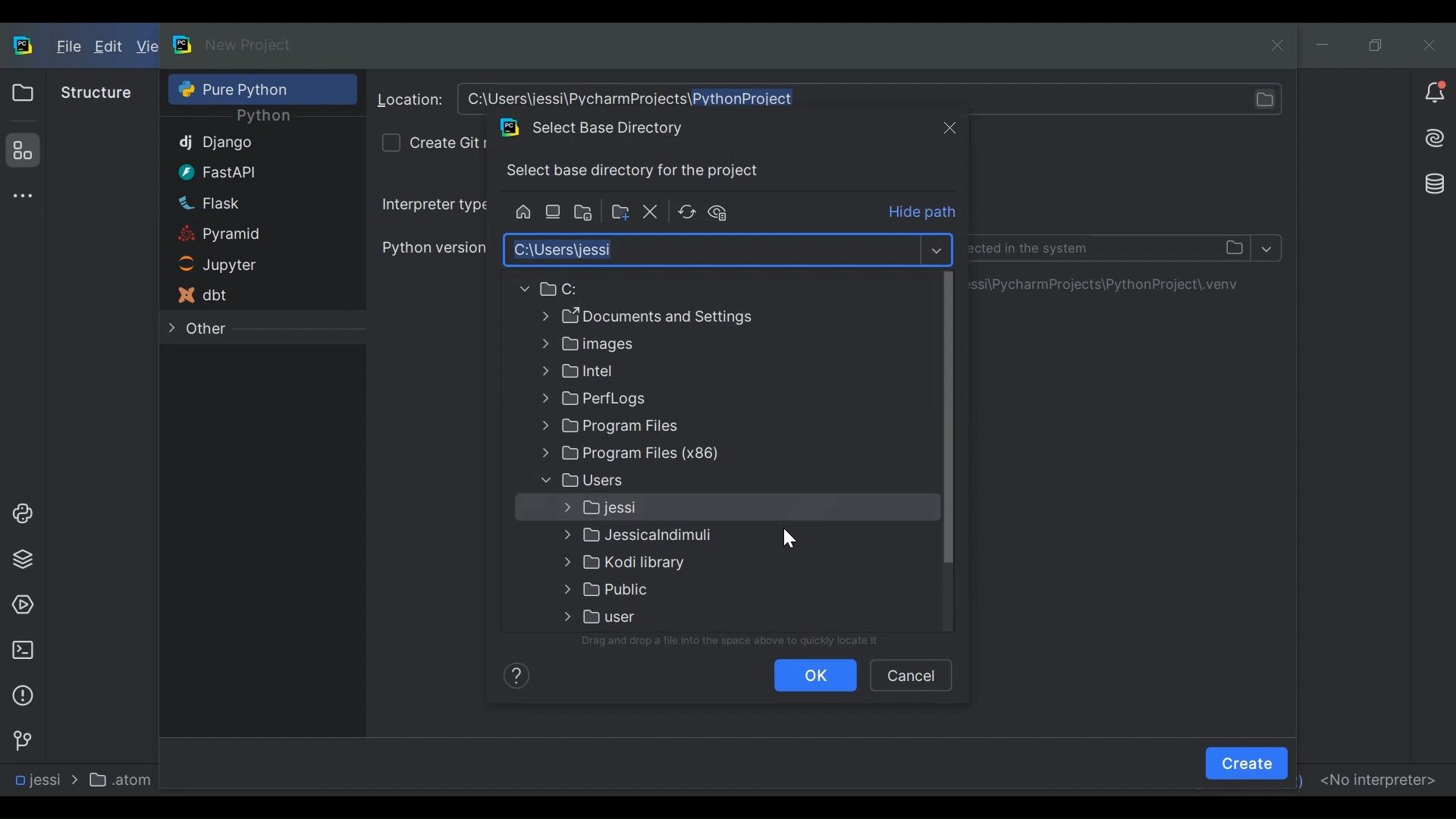  I want to click on Folder Path, so click(658, 289).